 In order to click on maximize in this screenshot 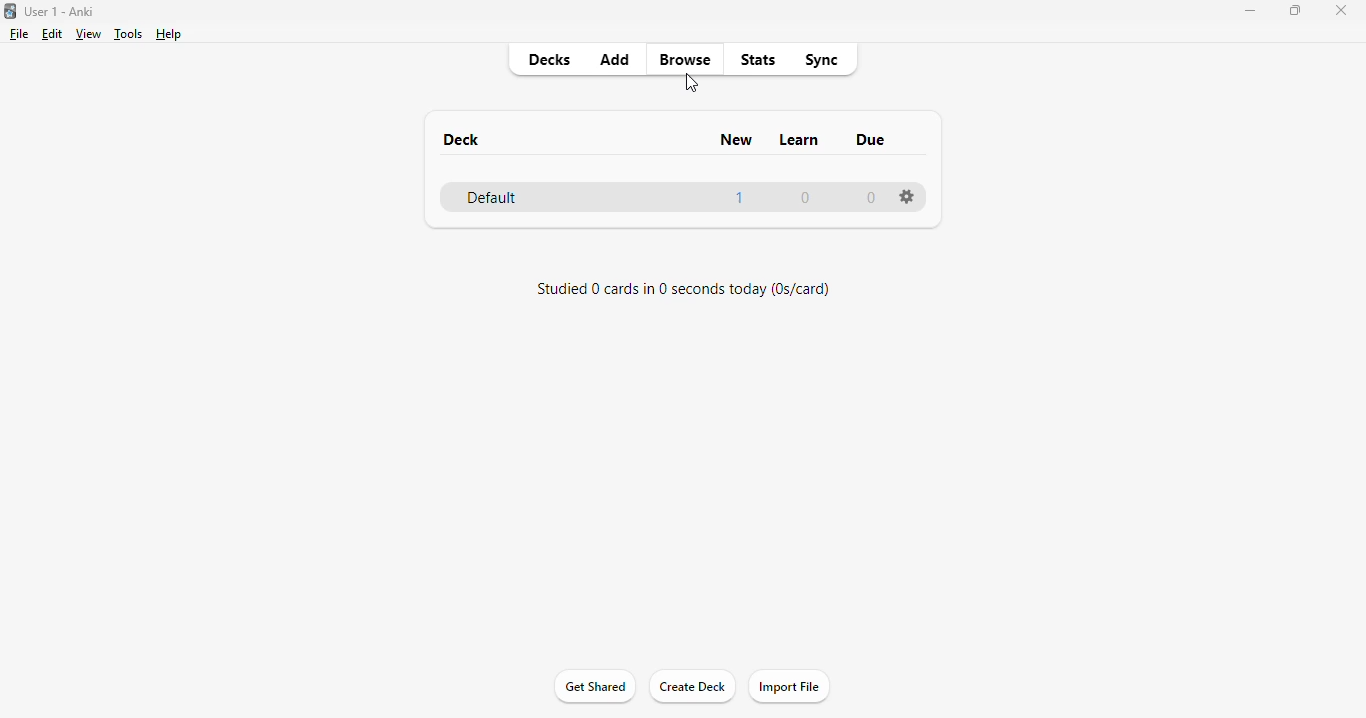, I will do `click(1295, 9)`.